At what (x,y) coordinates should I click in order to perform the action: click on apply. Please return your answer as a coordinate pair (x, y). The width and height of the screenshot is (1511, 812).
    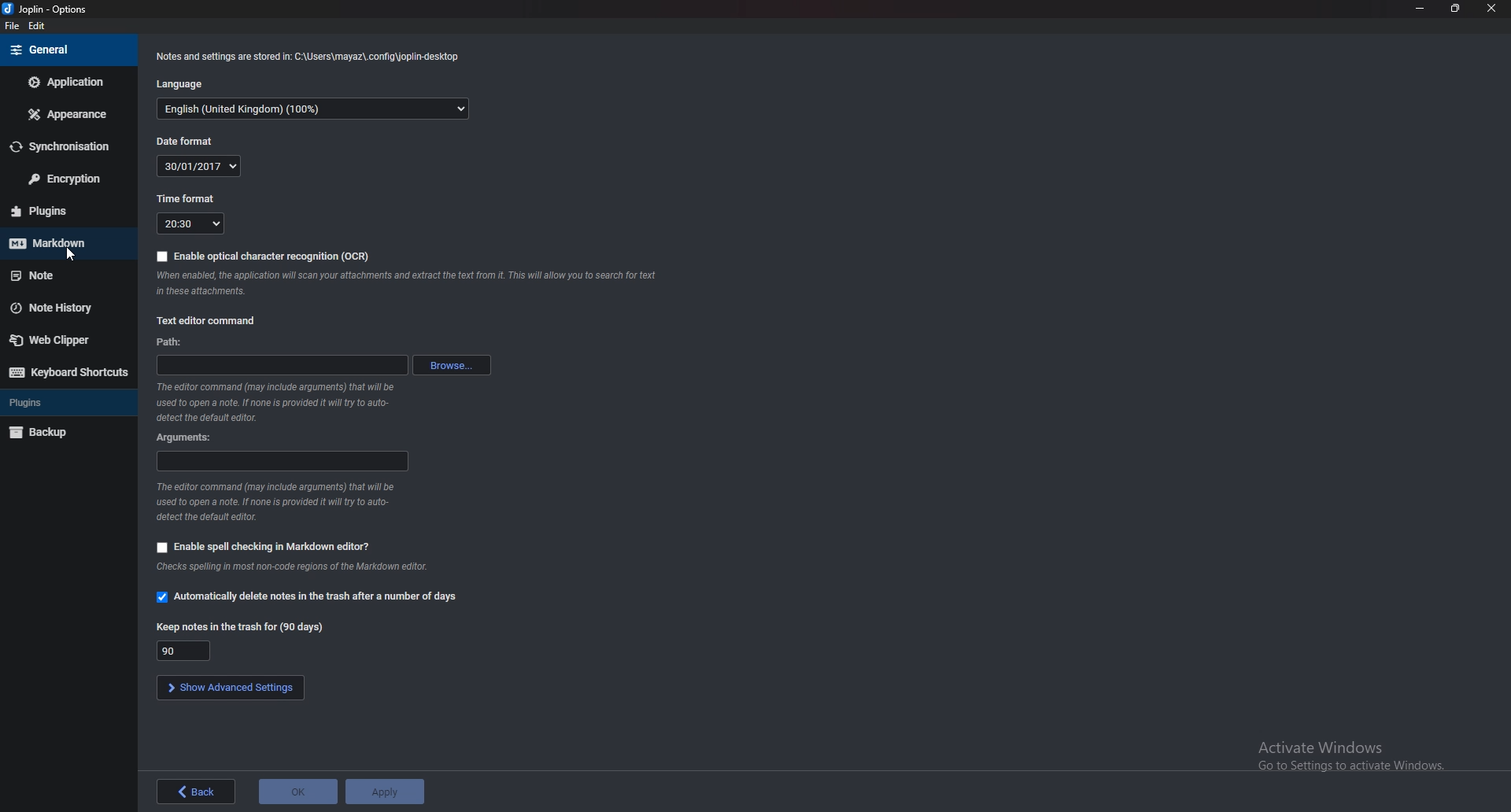
    Looking at the image, I should click on (383, 789).